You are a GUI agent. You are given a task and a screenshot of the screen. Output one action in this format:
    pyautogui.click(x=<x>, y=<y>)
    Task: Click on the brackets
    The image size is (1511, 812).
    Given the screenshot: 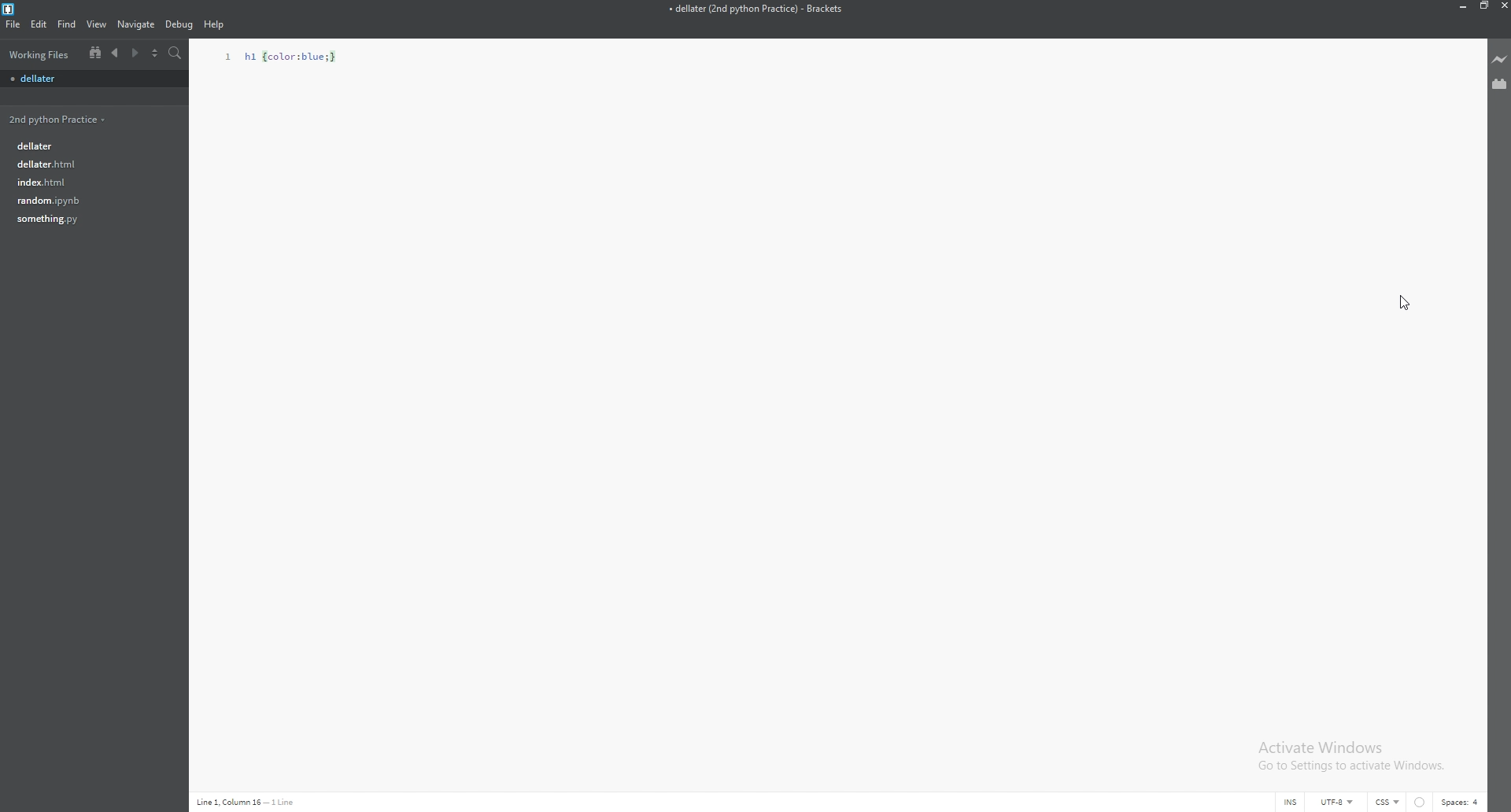 What is the action you would take?
    pyautogui.click(x=9, y=9)
    